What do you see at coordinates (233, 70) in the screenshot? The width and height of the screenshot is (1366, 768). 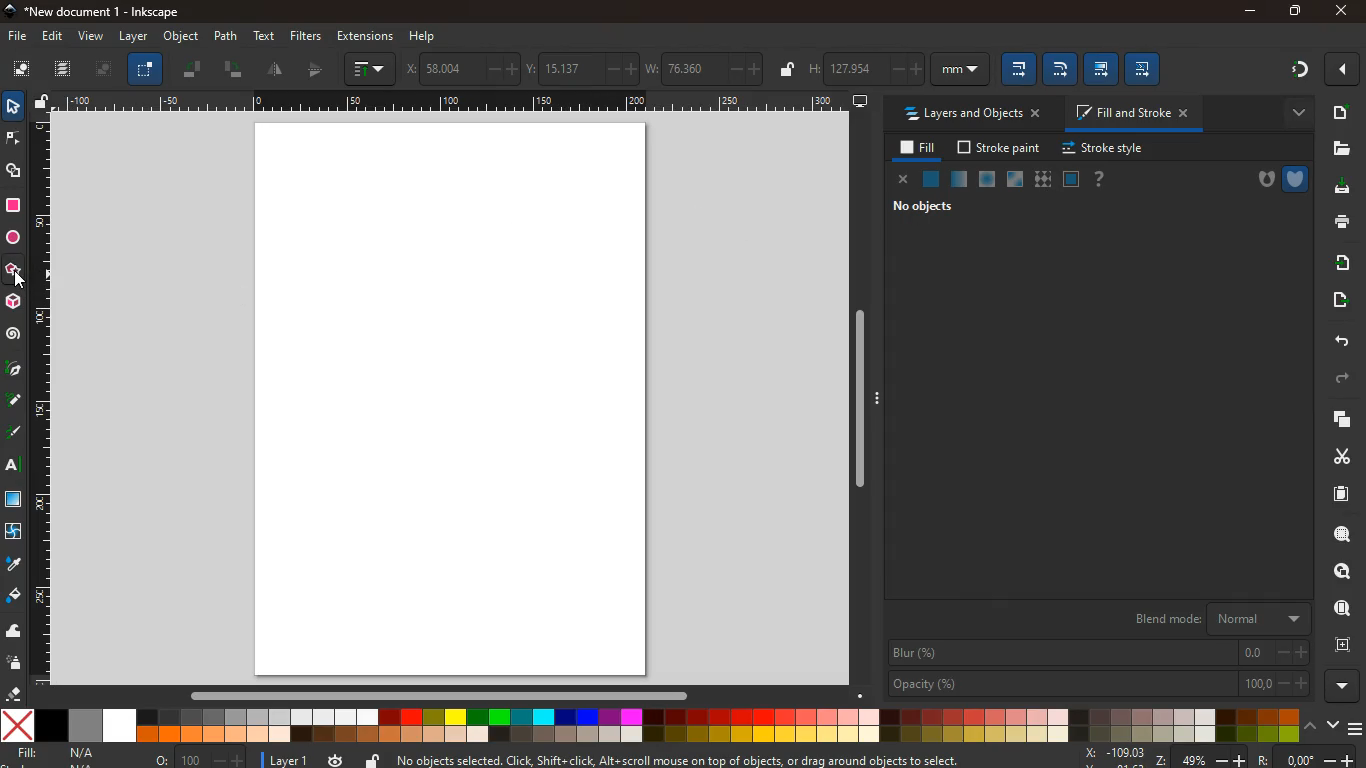 I see `tilt` at bounding box center [233, 70].